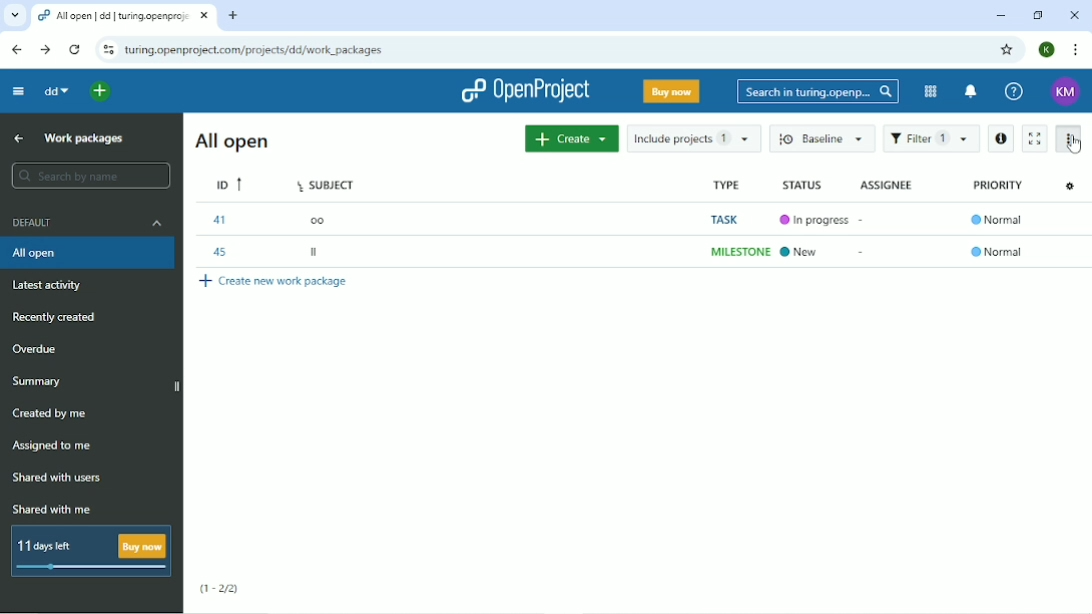 This screenshot has height=614, width=1092. What do you see at coordinates (321, 221) in the screenshot?
I see `oo` at bounding box center [321, 221].